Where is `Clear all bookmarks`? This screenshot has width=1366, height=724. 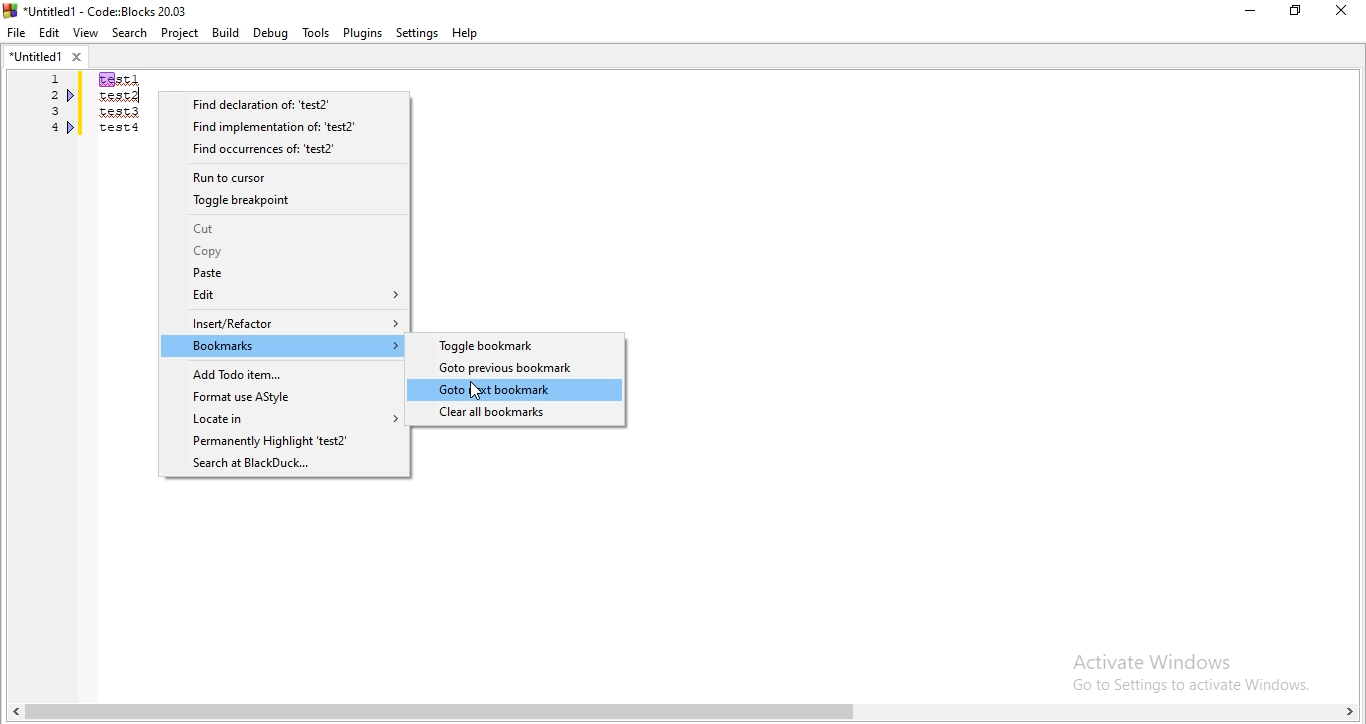 Clear all bookmarks is located at coordinates (516, 415).